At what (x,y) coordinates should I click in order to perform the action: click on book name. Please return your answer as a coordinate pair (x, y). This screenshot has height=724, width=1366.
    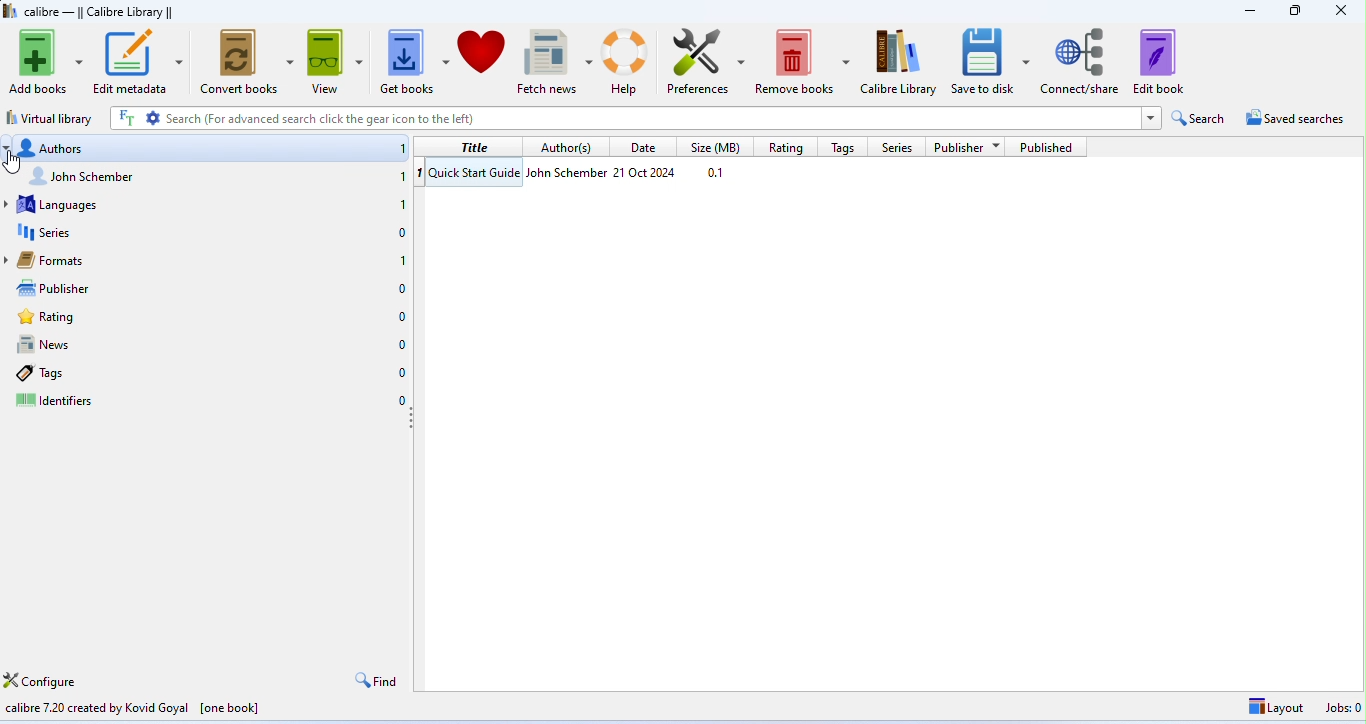
    Looking at the image, I should click on (476, 174).